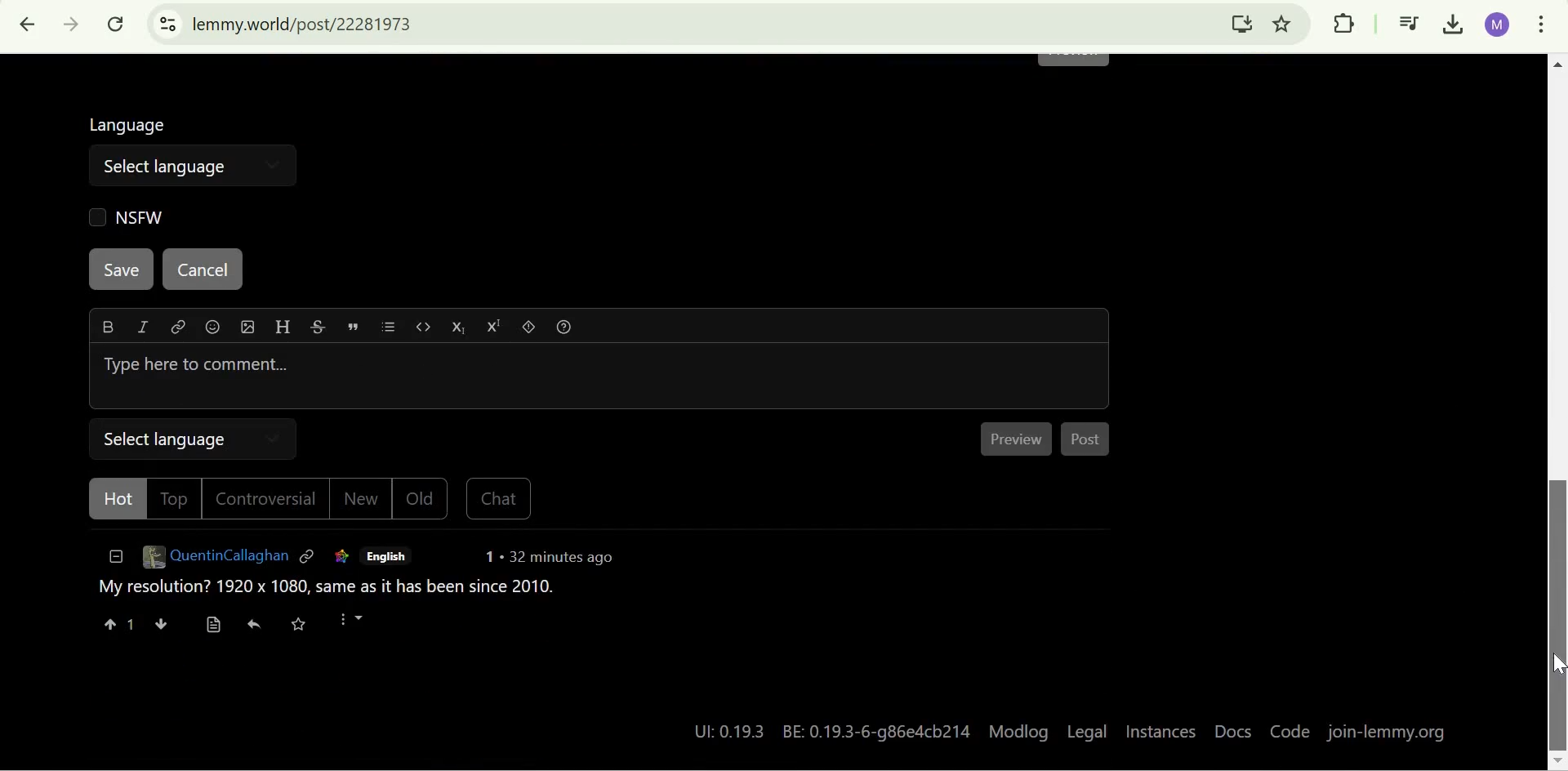 This screenshot has height=771, width=1568. What do you see at coordinates (1232, 733) in the screenshot?
I see `Docs` at bounding box center [1232, 733].